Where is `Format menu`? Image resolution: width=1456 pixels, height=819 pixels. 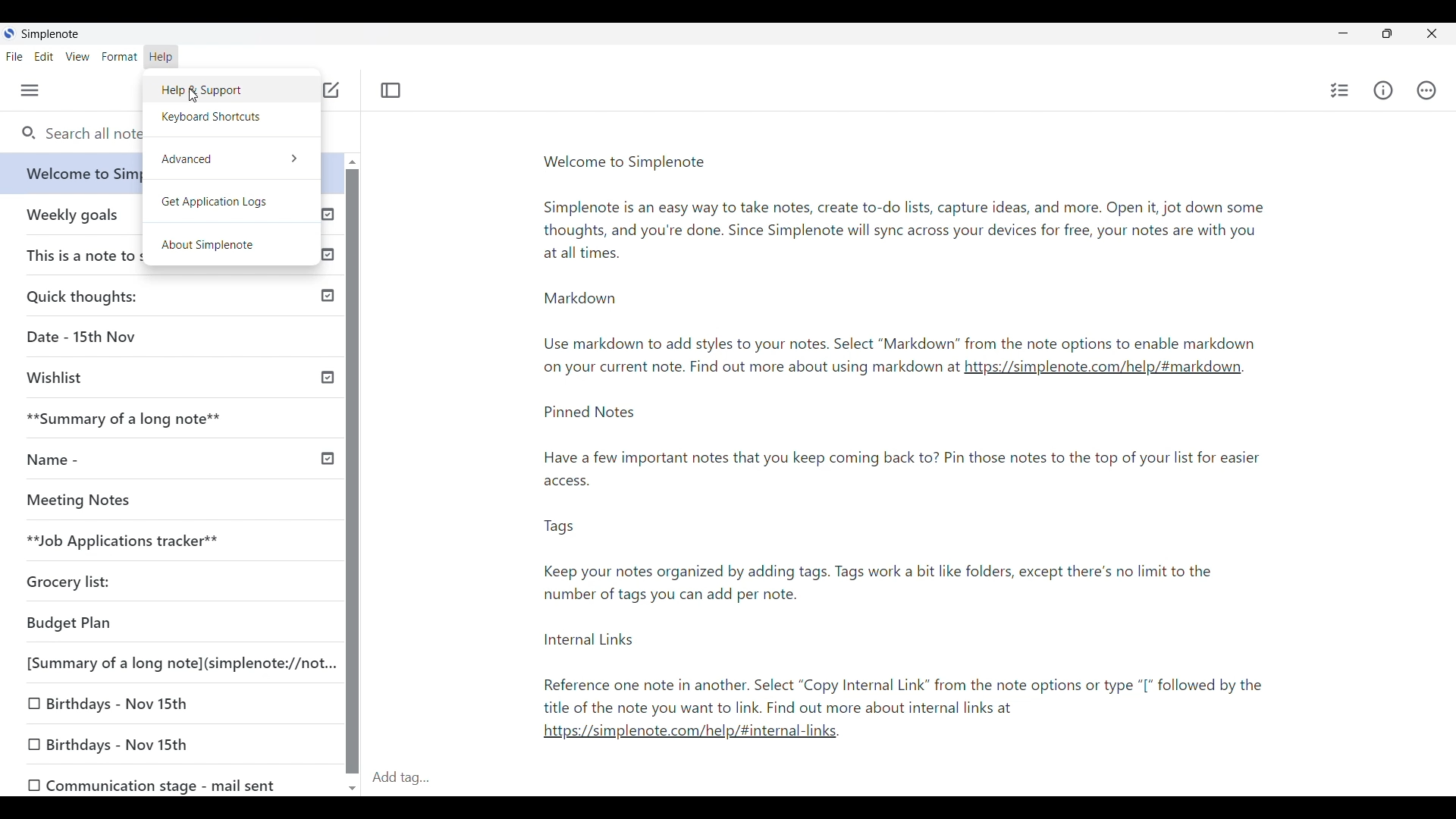 Format menu is located at coordinates (120, 57).